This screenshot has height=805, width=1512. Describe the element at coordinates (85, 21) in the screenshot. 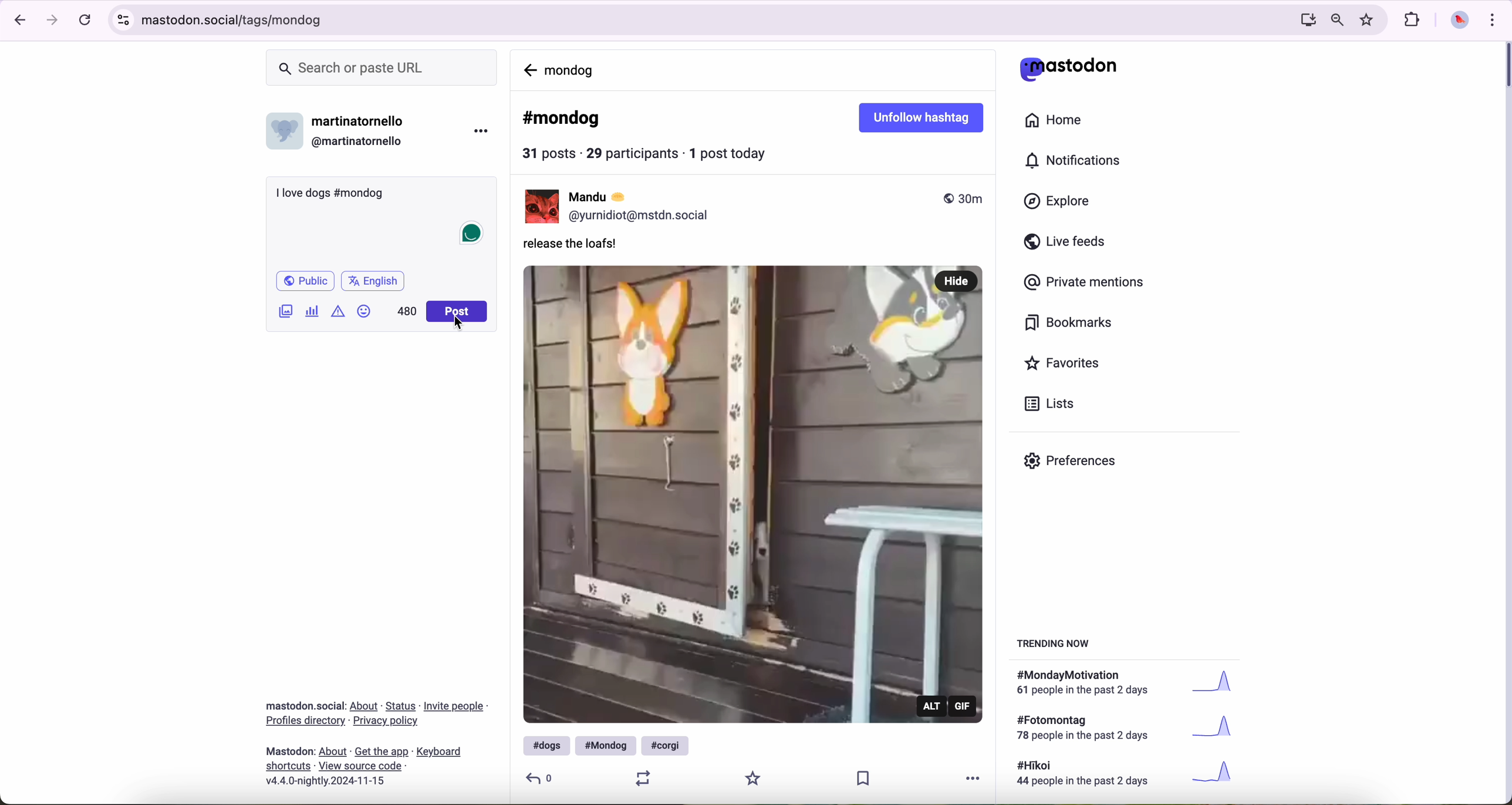

I see `refresh the page` at that location.